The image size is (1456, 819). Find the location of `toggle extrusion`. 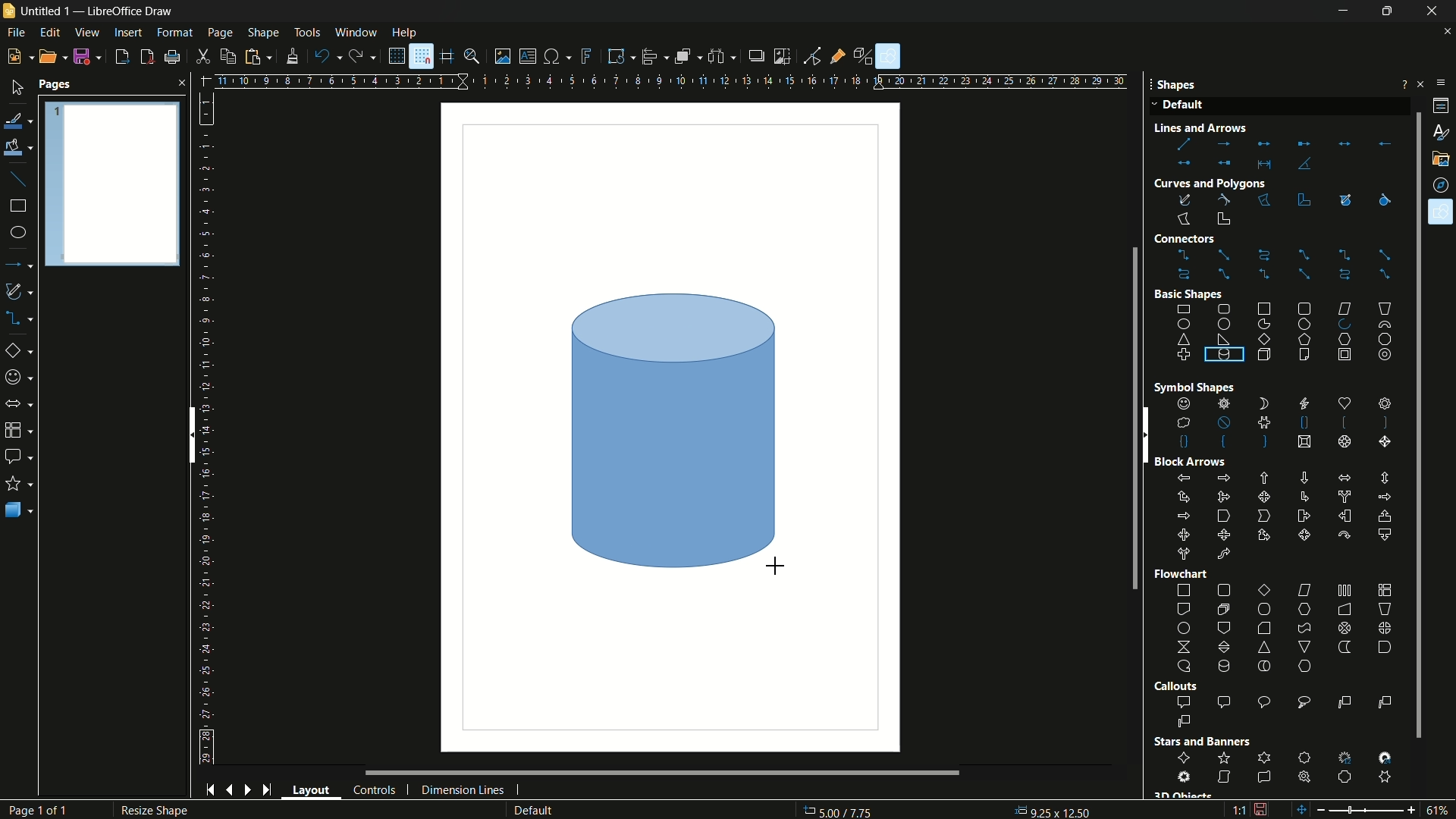

toggle extrusion is located at coordinates (864, 57).